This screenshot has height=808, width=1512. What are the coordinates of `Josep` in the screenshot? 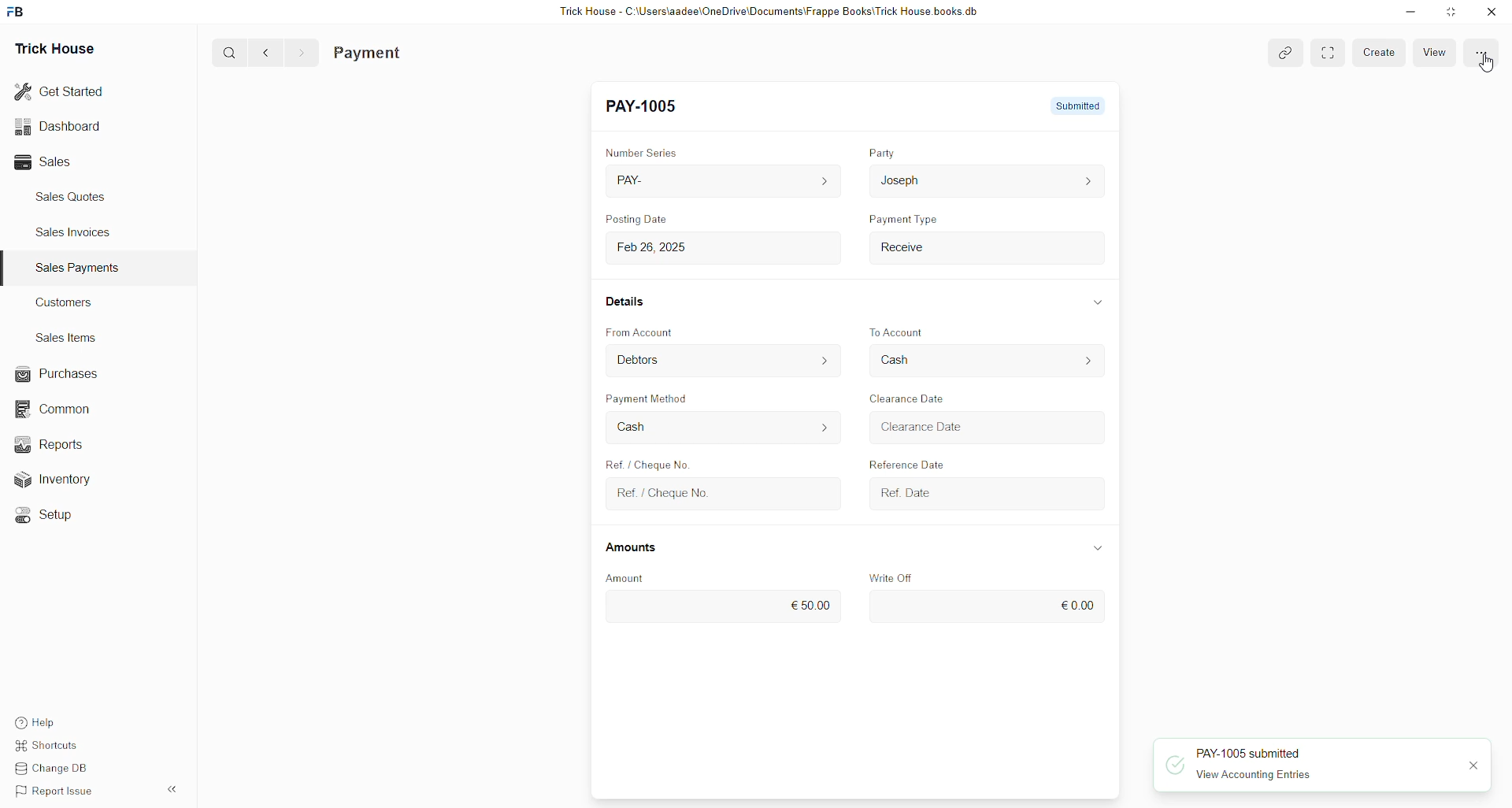 It's located at (980, 180).